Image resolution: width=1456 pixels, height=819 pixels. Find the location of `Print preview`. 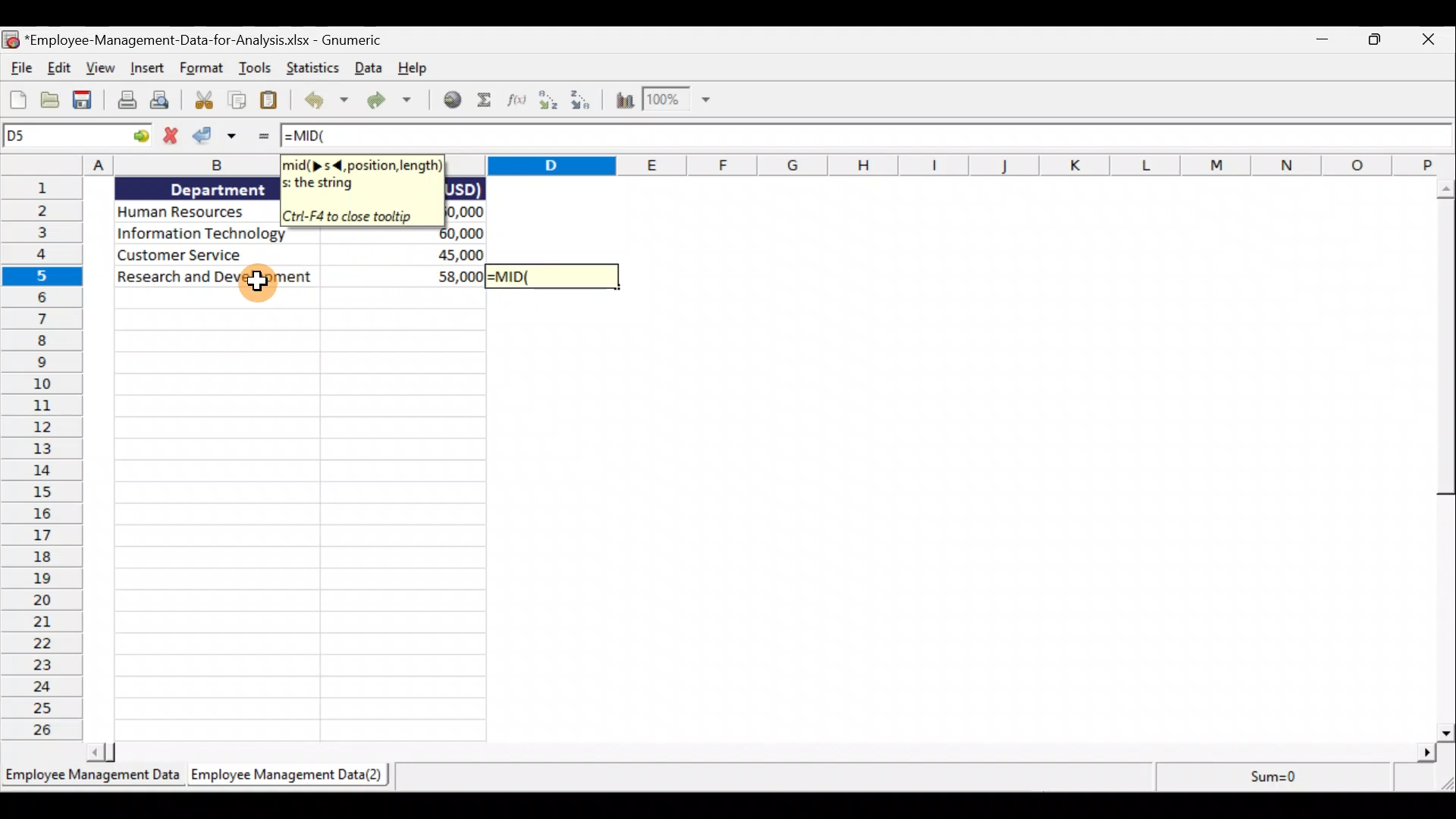

Print preview is located at coordinates (165, 102).